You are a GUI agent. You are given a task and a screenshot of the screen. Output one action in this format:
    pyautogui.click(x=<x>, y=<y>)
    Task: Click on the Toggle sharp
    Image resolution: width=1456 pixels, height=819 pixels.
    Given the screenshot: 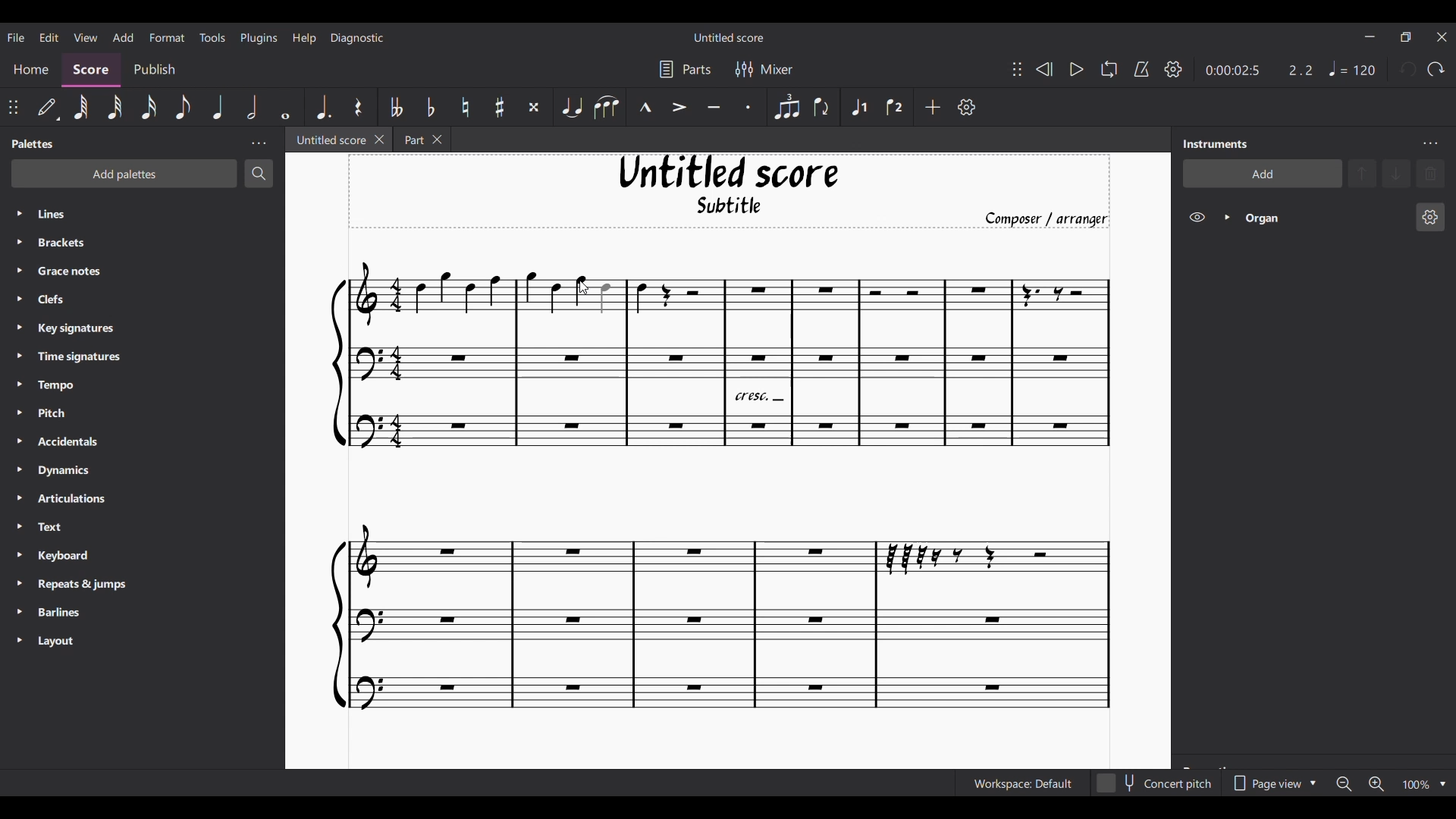 What is the action you would take?
    pyautogui.click(x=500, y=107)
    